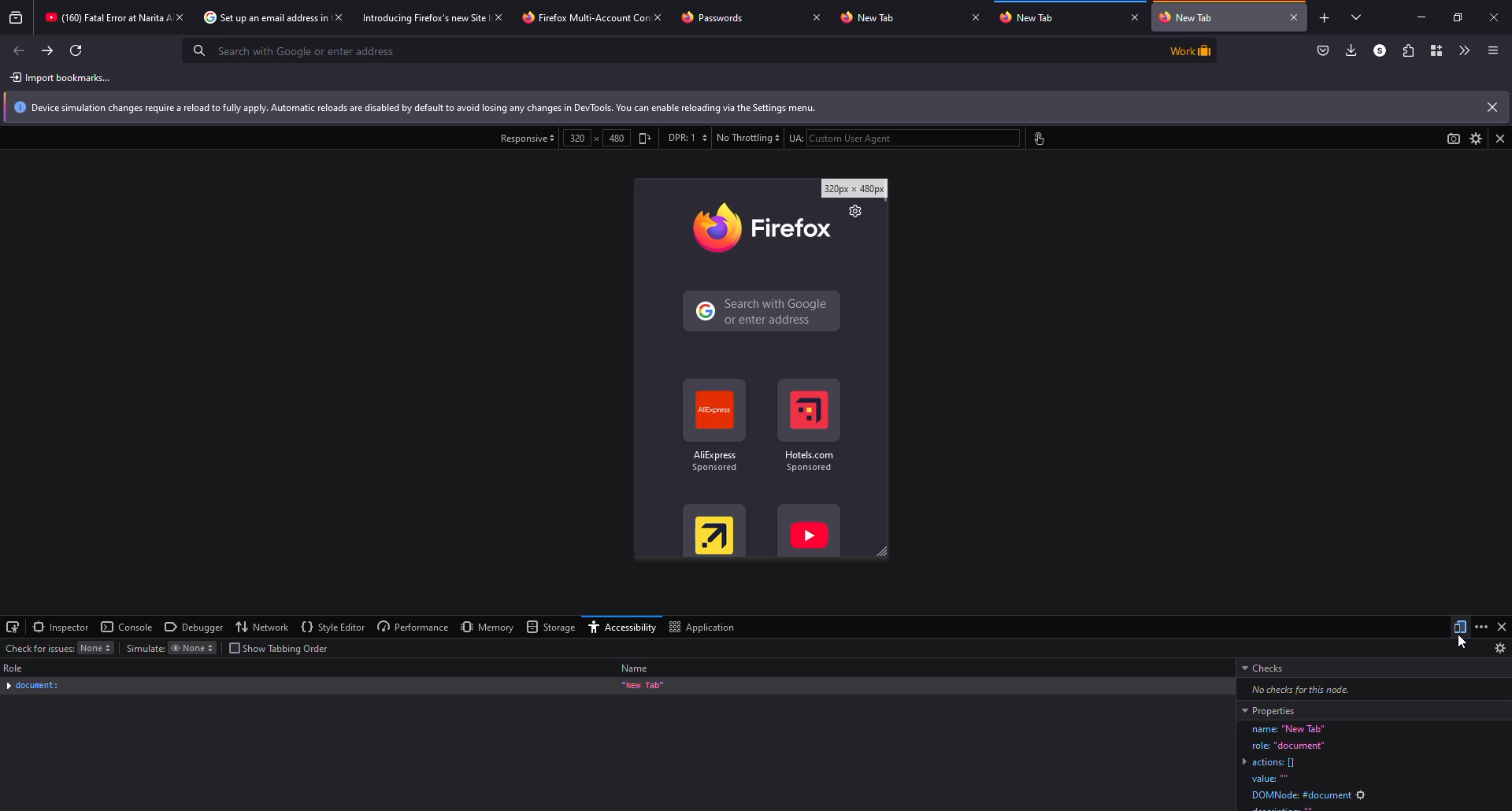 The width and height of the screenshot is (1512, 811). Describe the element at coordinates (1451, 139) in the screenshot. I see `view` at that location.